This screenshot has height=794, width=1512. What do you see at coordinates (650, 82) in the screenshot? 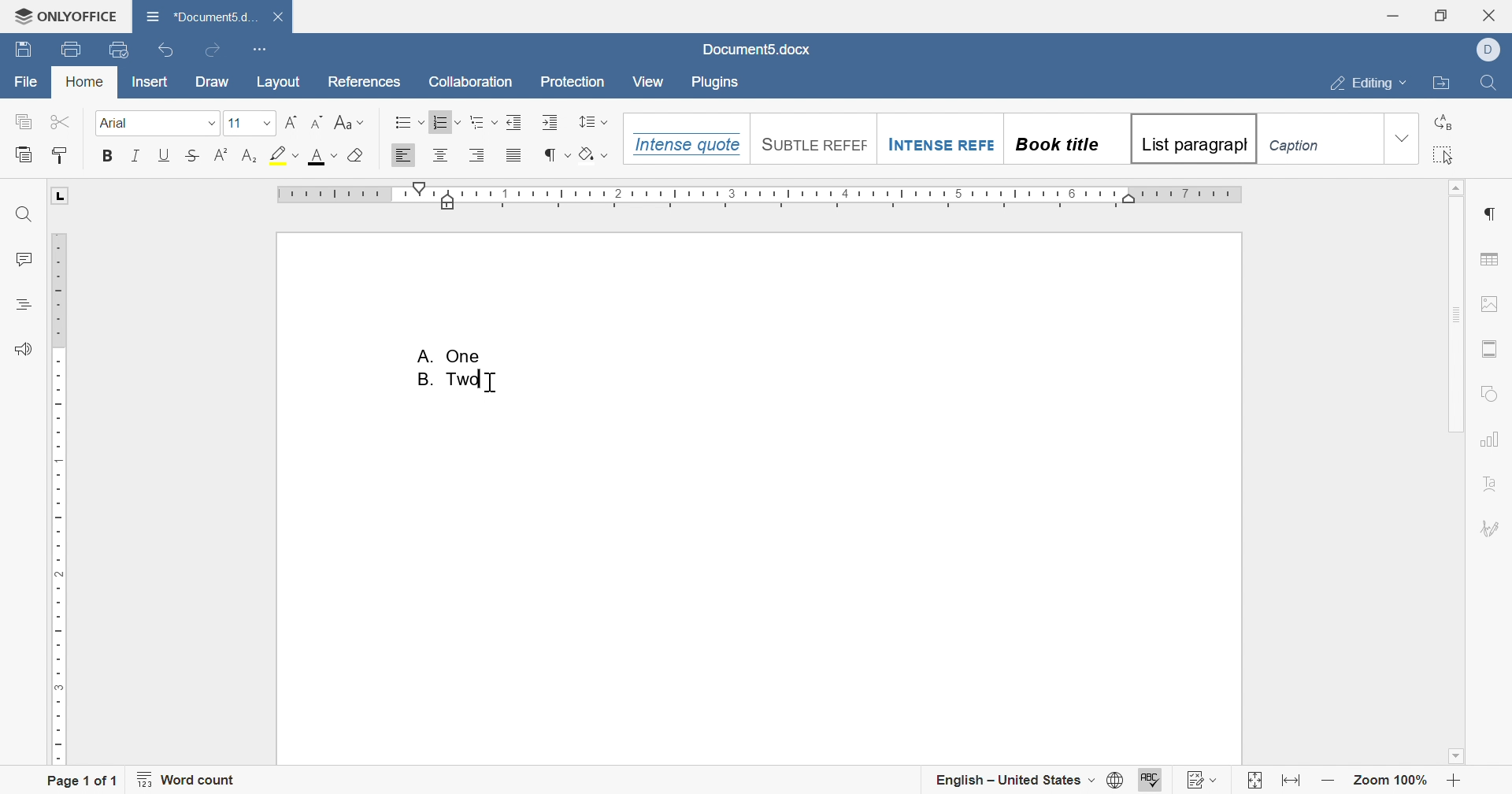
I see `View` at bounding box center [650, 82].